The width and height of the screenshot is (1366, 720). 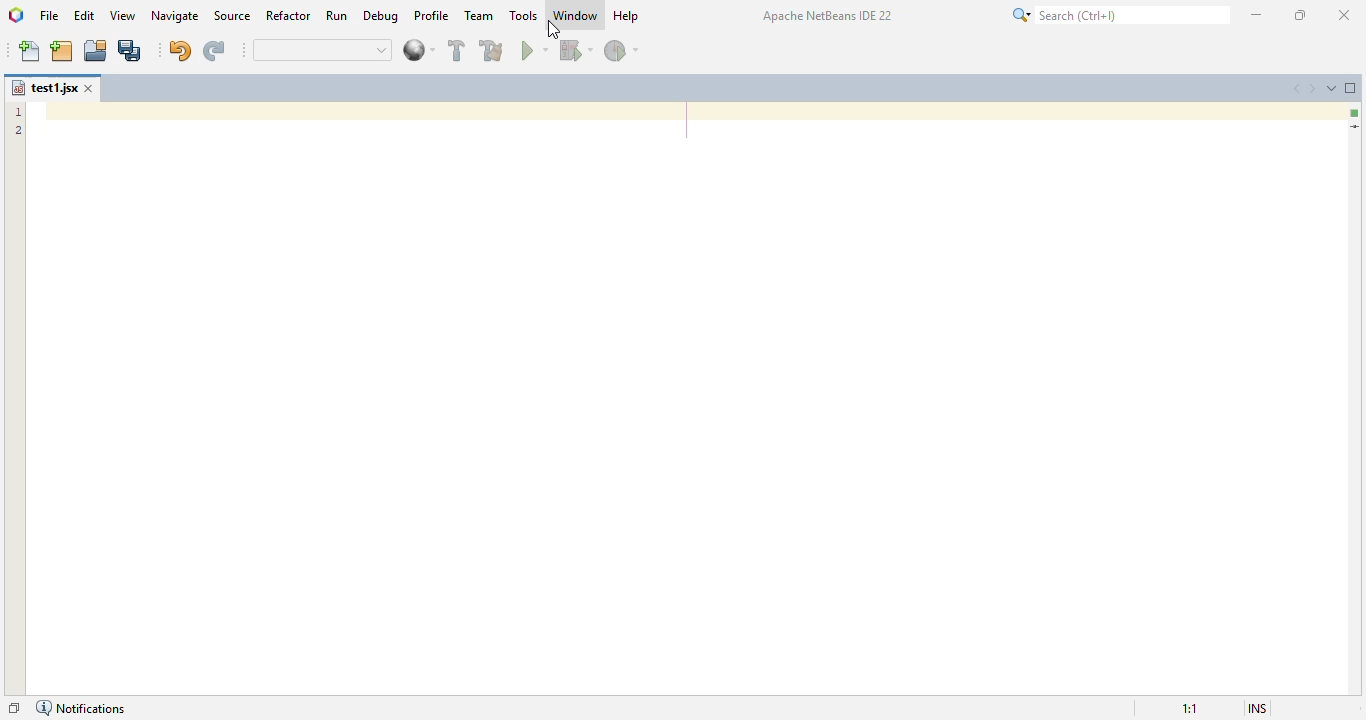 What do you see at coordinates (214, 51) in the screenshot?
I see `redo` at bounding box center [214, 51].